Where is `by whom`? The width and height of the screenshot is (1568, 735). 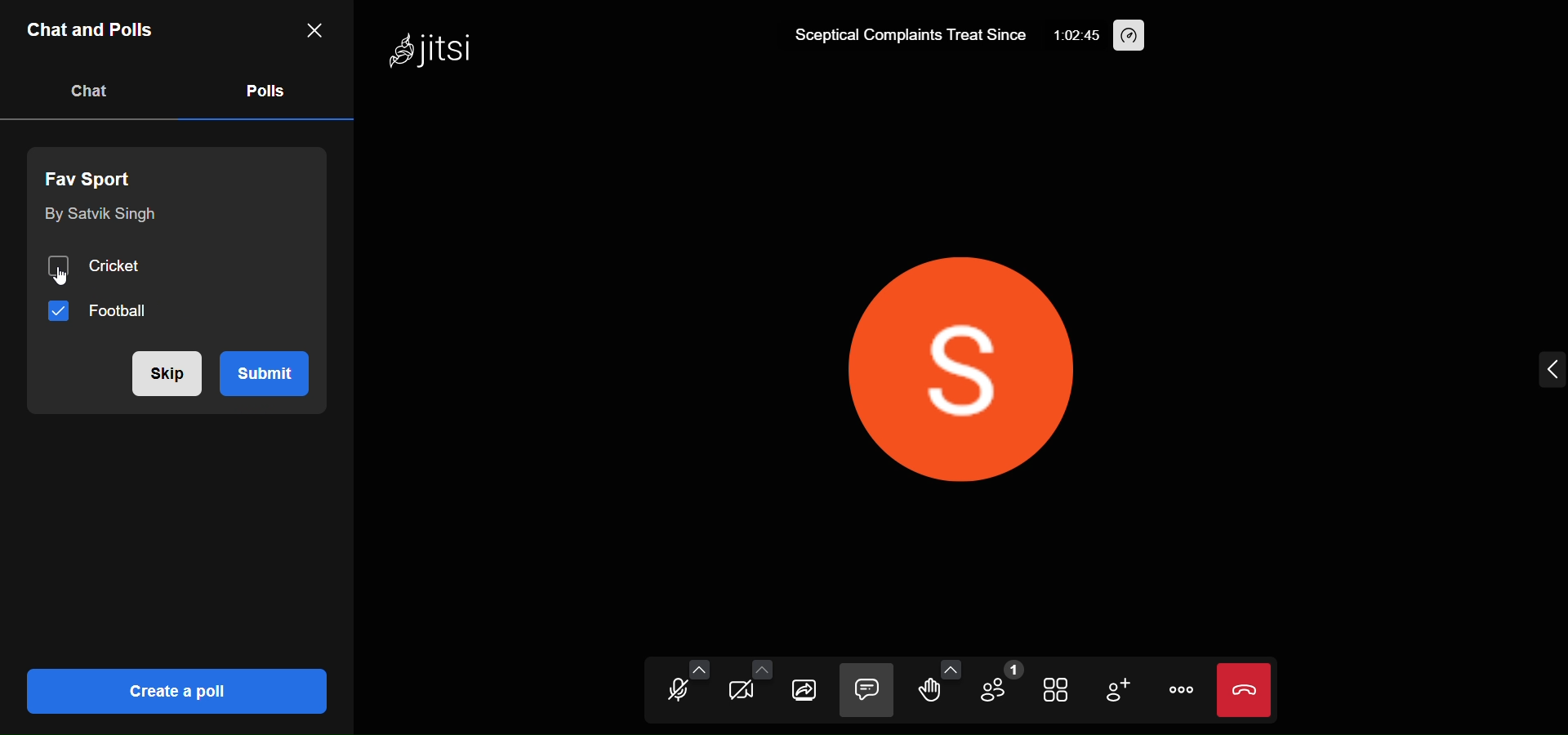 by whom is located at coordinates (98, 216).